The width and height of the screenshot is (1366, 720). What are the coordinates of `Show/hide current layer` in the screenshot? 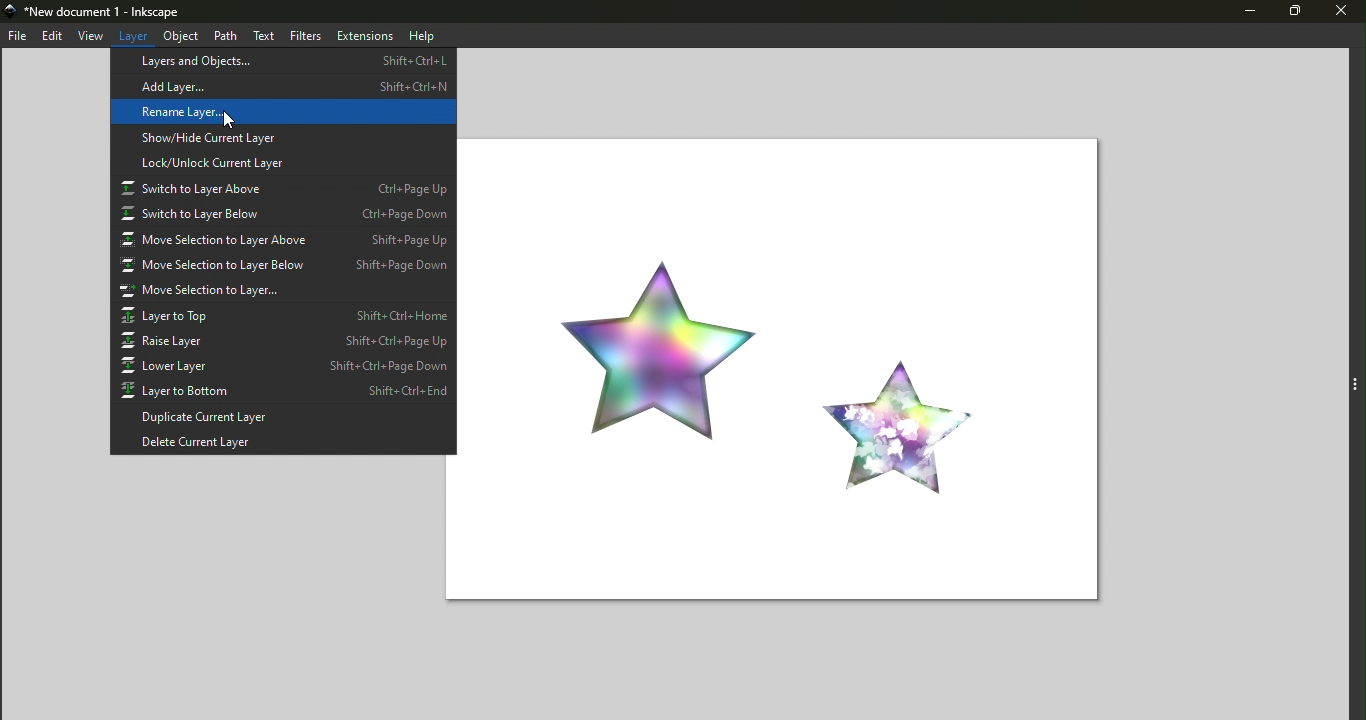 It's located at (283, 136).